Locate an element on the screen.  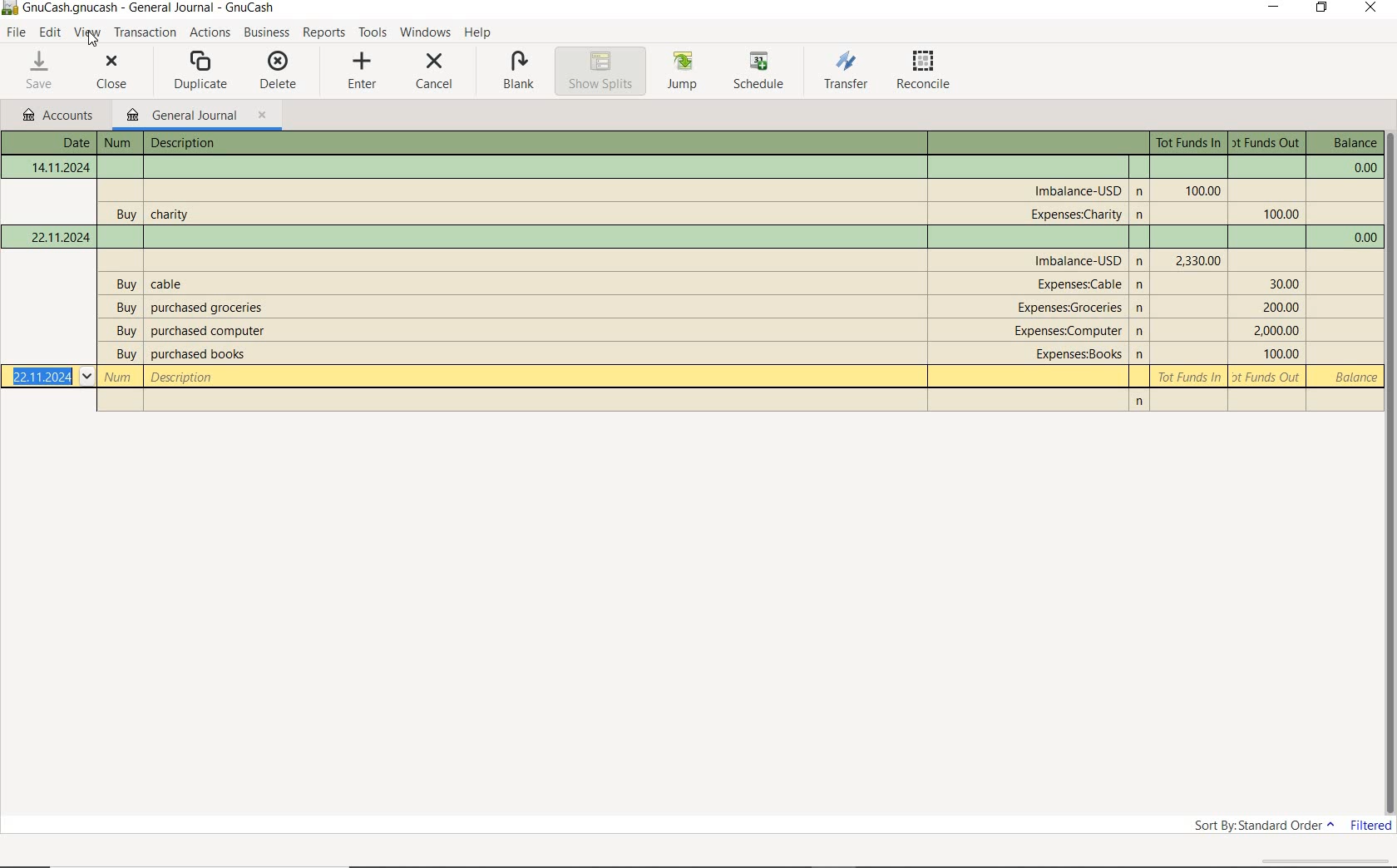
Tot Funds In is located at coordinates (1190, 143).